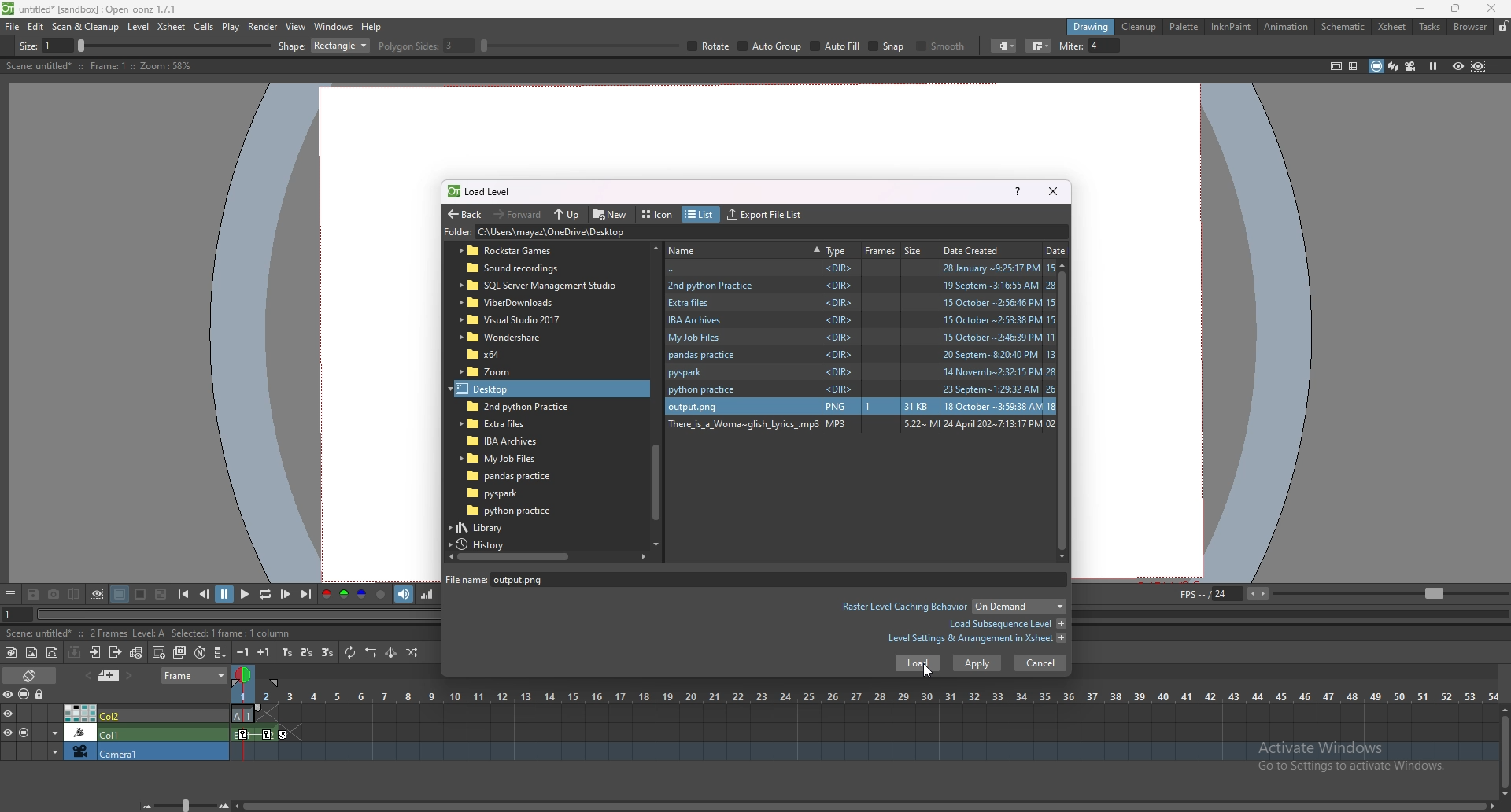  Describe the element at coordinates (286, 594) in the screenshot. I see `next frame` at that location.